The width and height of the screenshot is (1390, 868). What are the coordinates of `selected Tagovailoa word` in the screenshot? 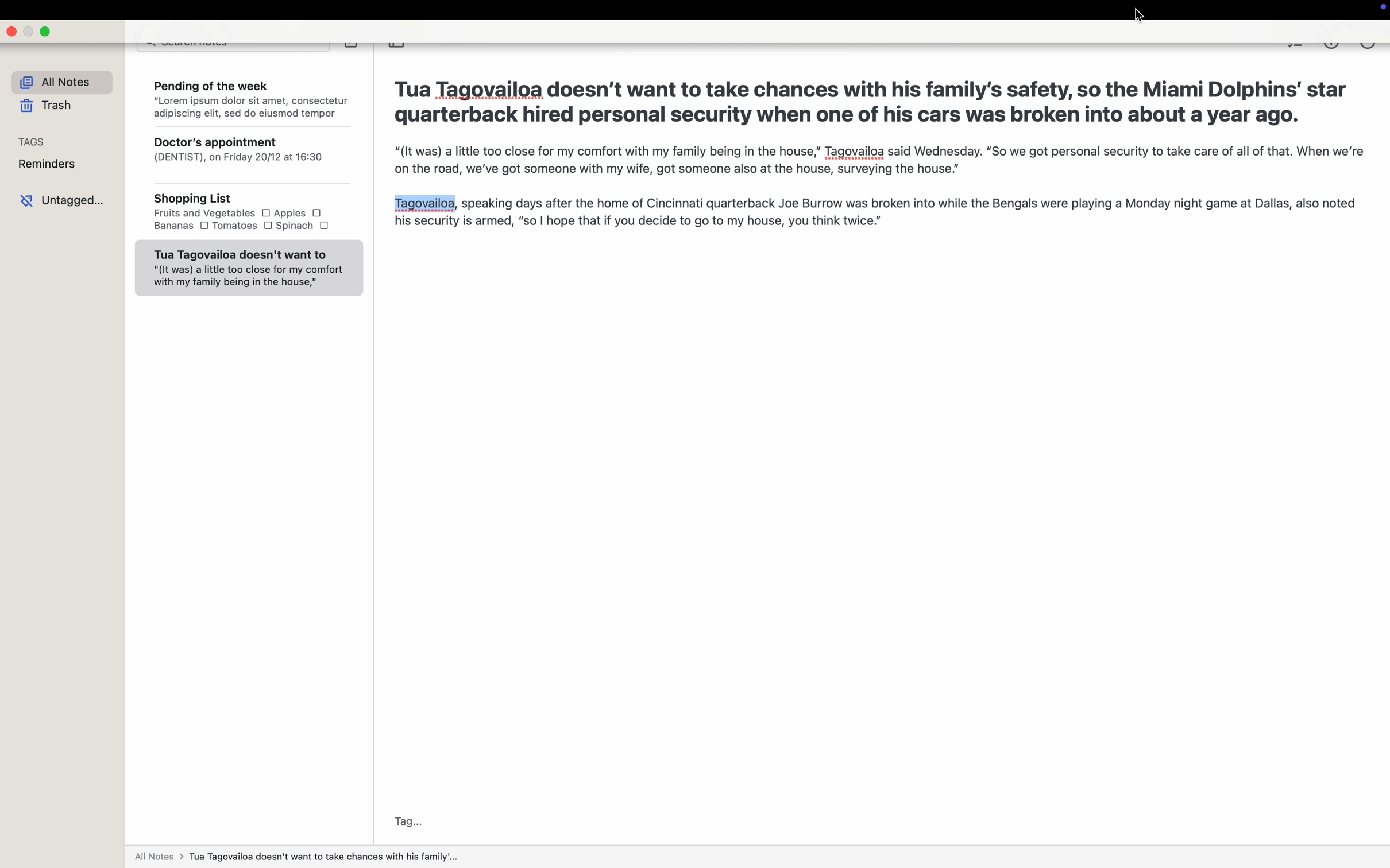 It's located at (424, 203).